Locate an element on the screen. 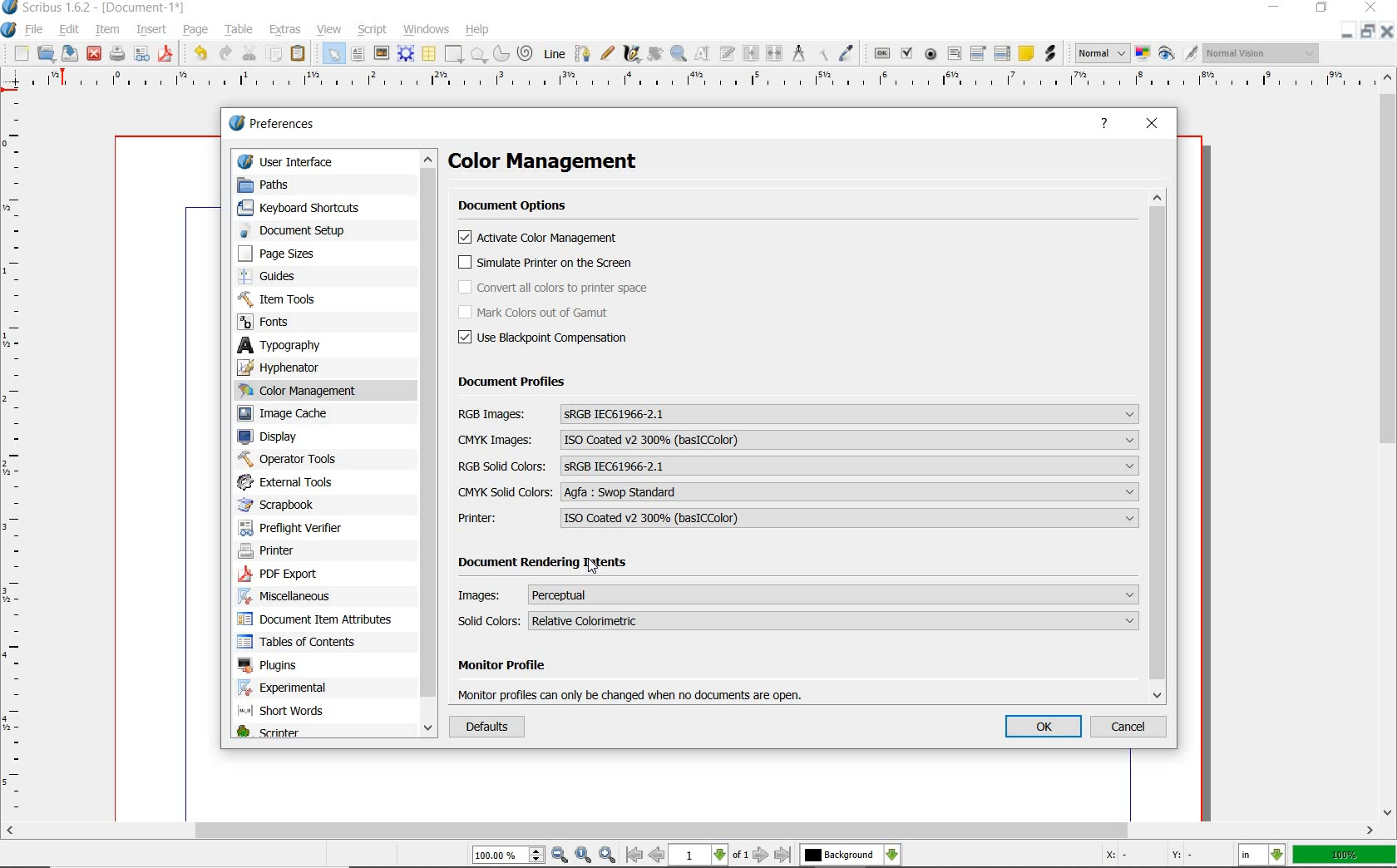 This screenshot has height=868, width=1397. Bezier curve is located at coordinates (582, 52).